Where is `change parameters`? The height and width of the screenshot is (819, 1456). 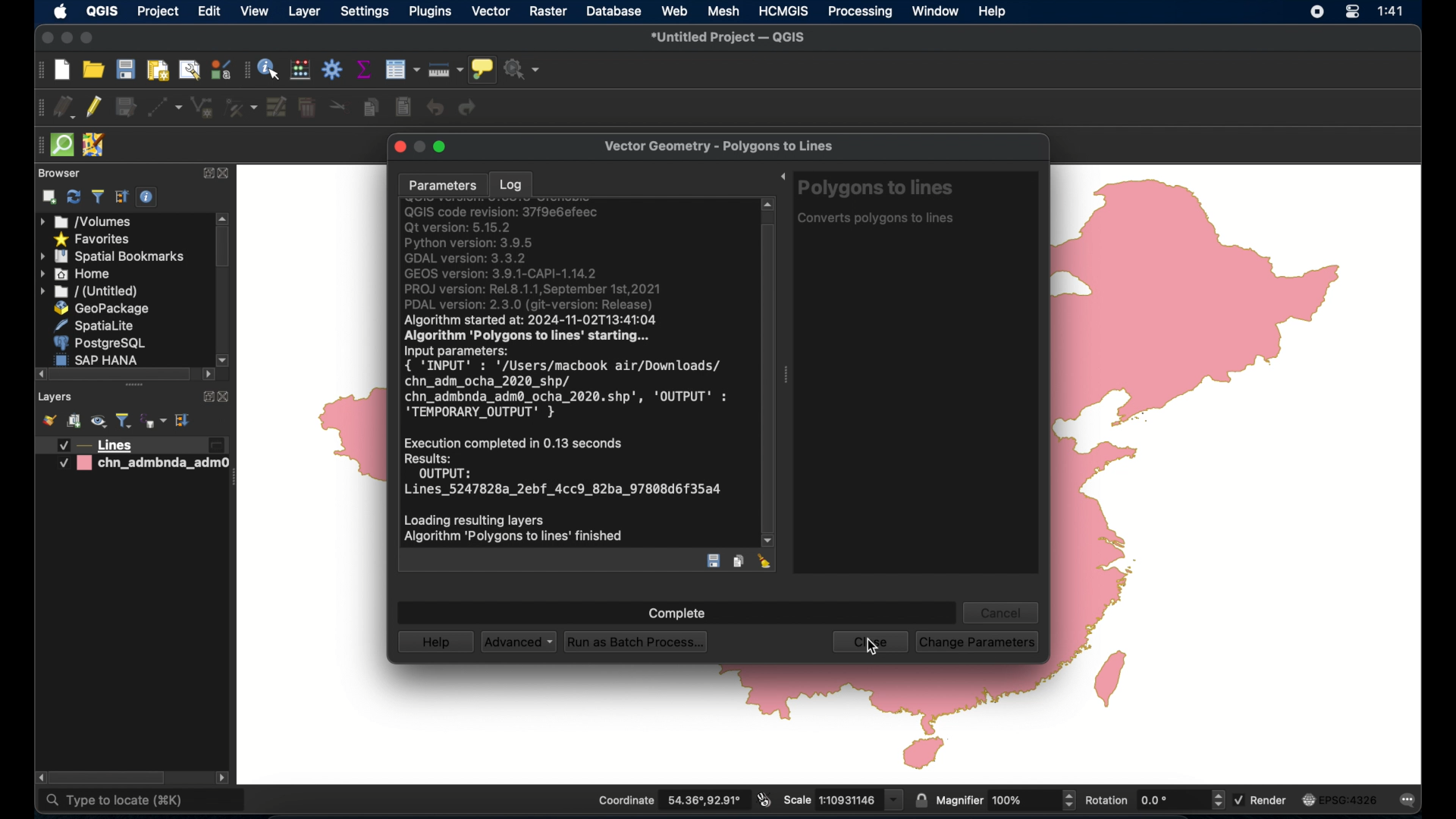
change parameters is located at coordinates (978, 642).